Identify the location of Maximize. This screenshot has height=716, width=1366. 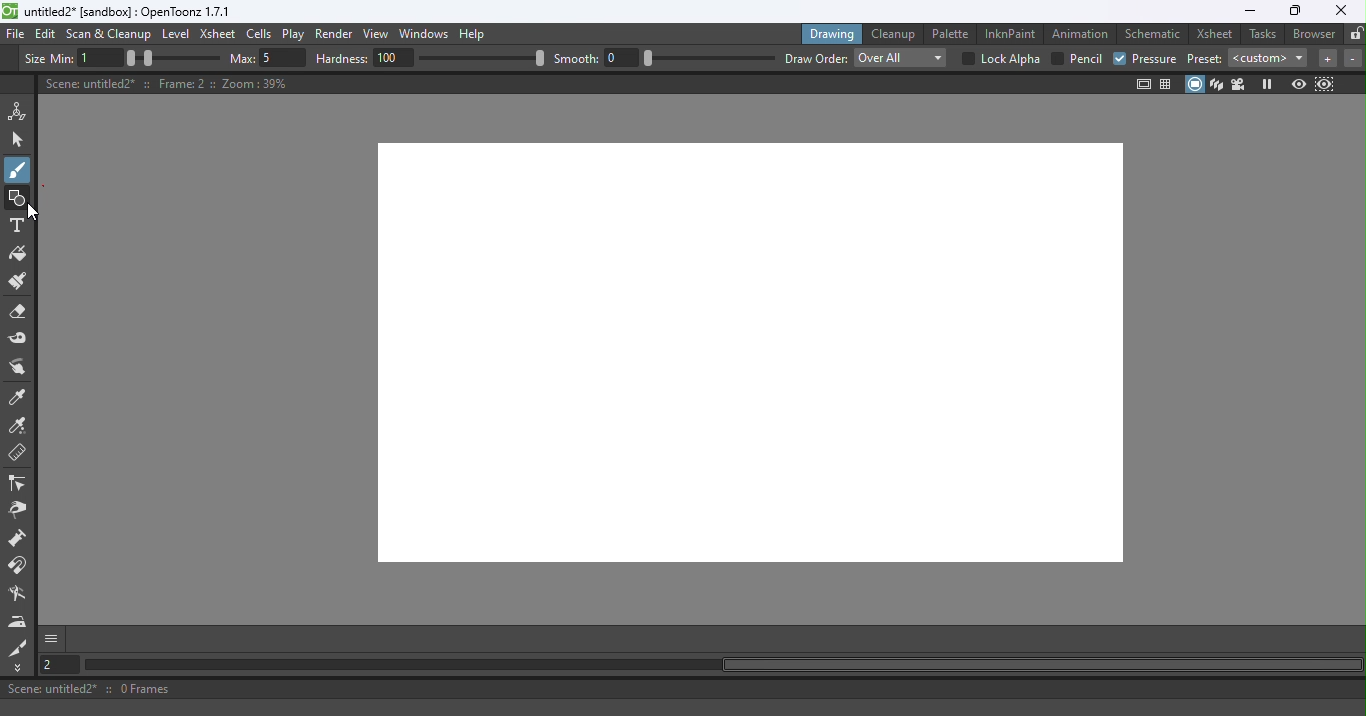
(1292, 12).